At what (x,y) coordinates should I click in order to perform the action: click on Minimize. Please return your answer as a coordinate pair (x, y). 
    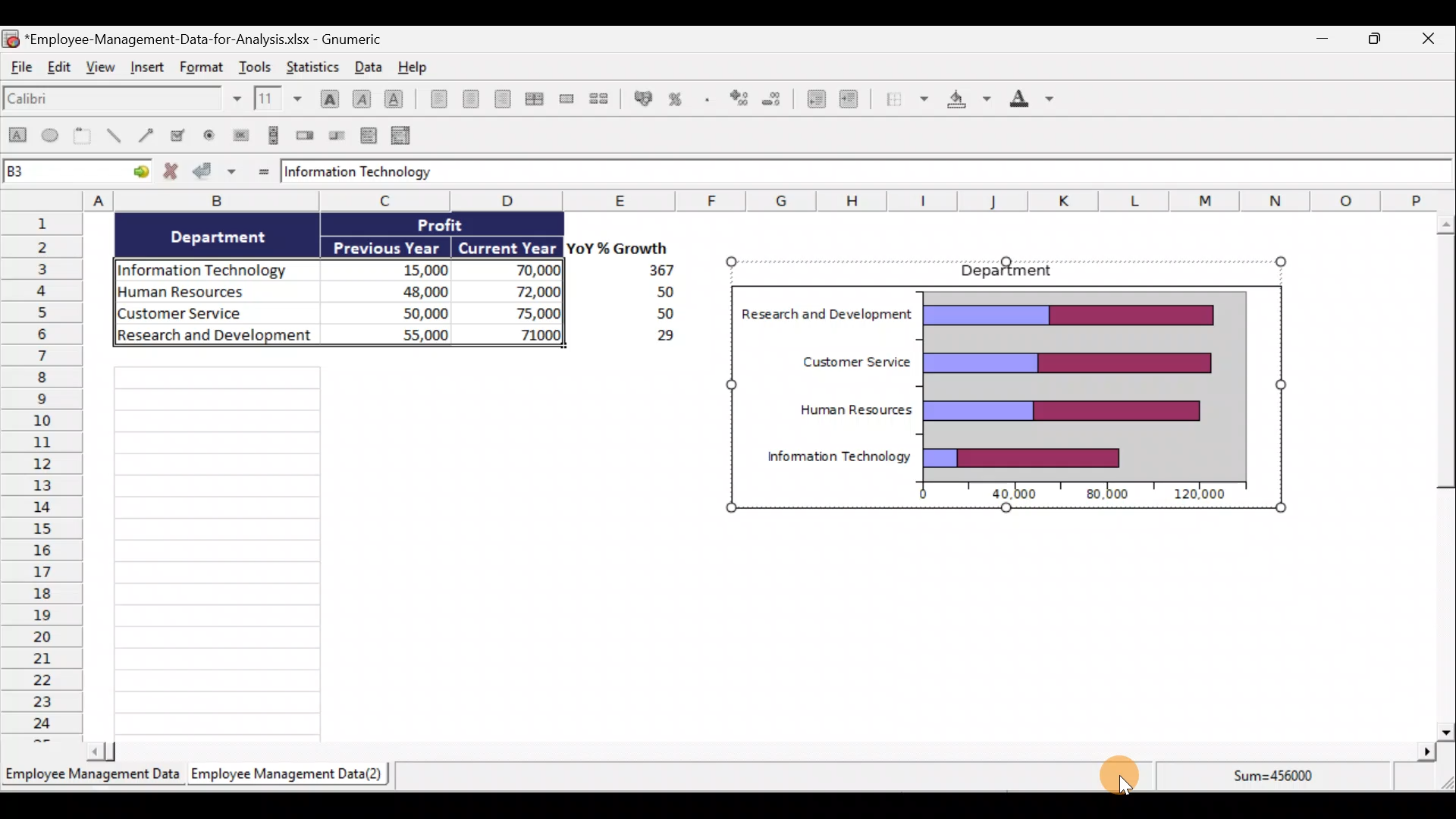
    Looking at the image, I should click on (1322, 39).